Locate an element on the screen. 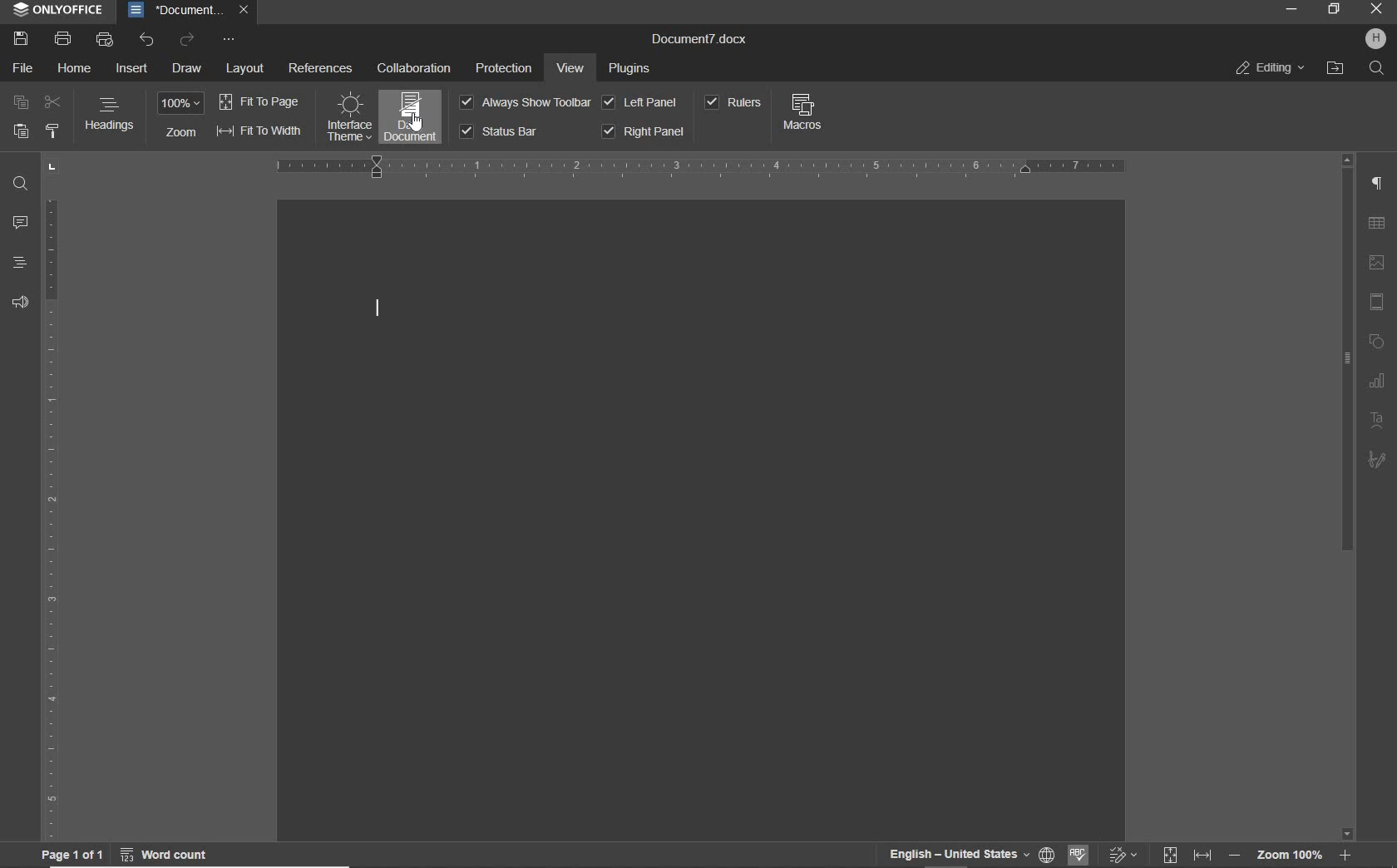 This screenshot has width=1397, height=868. COPY STYLE is located at coordinates (54, 132).